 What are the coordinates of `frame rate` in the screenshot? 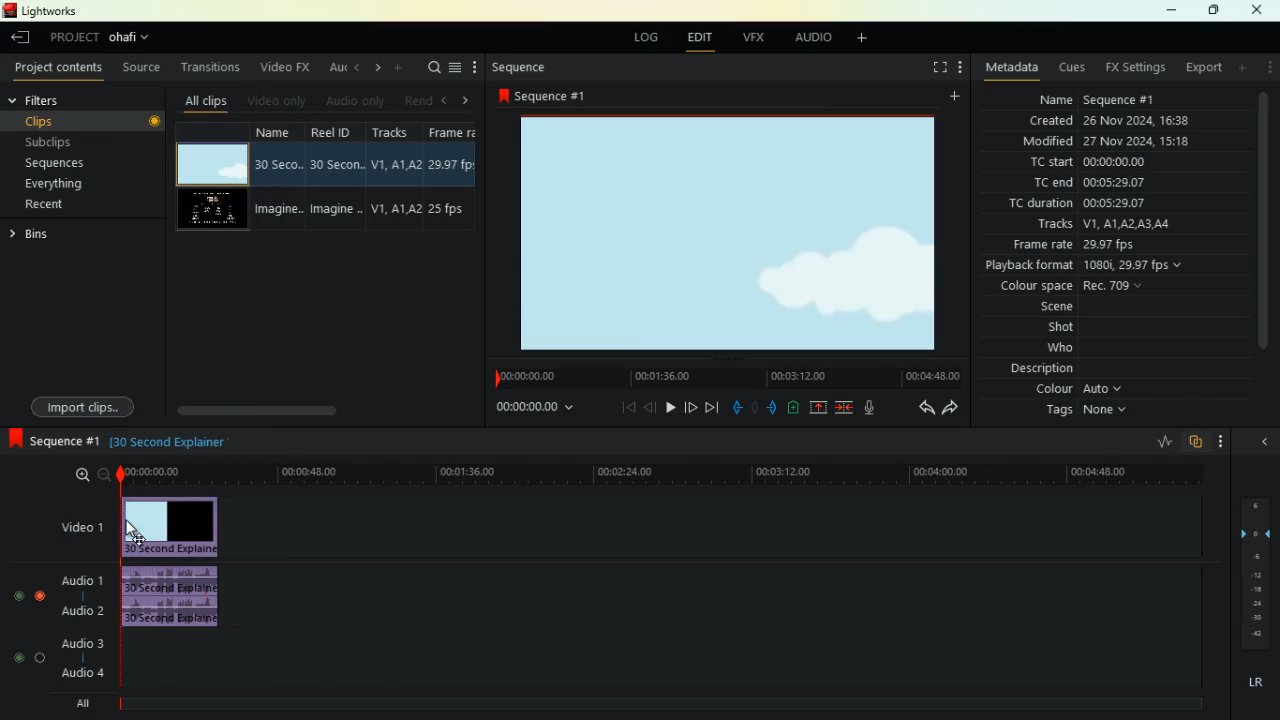 It's located at (1075, 246).